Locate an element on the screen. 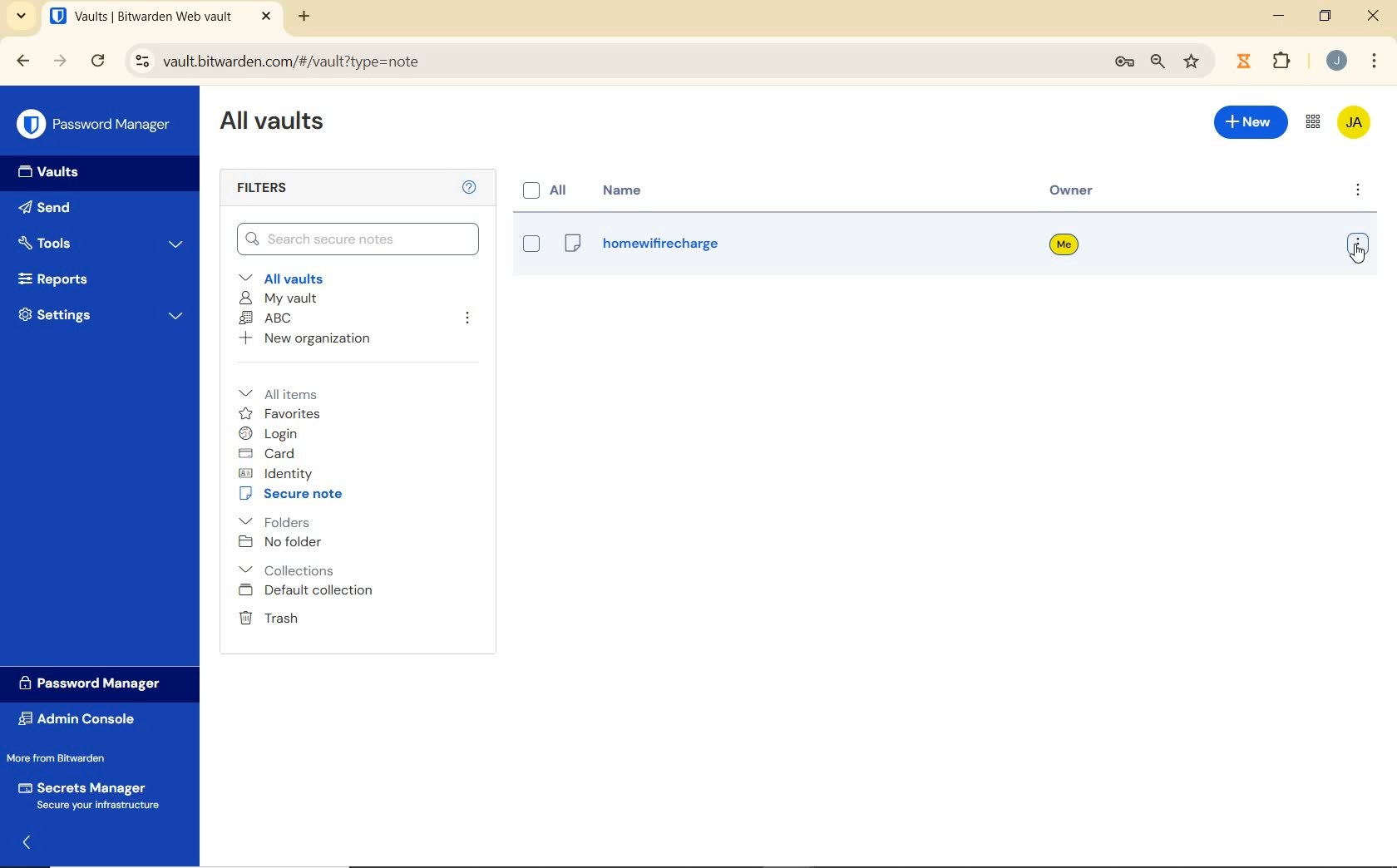  Password Manager is located at coordinates (97, 684).